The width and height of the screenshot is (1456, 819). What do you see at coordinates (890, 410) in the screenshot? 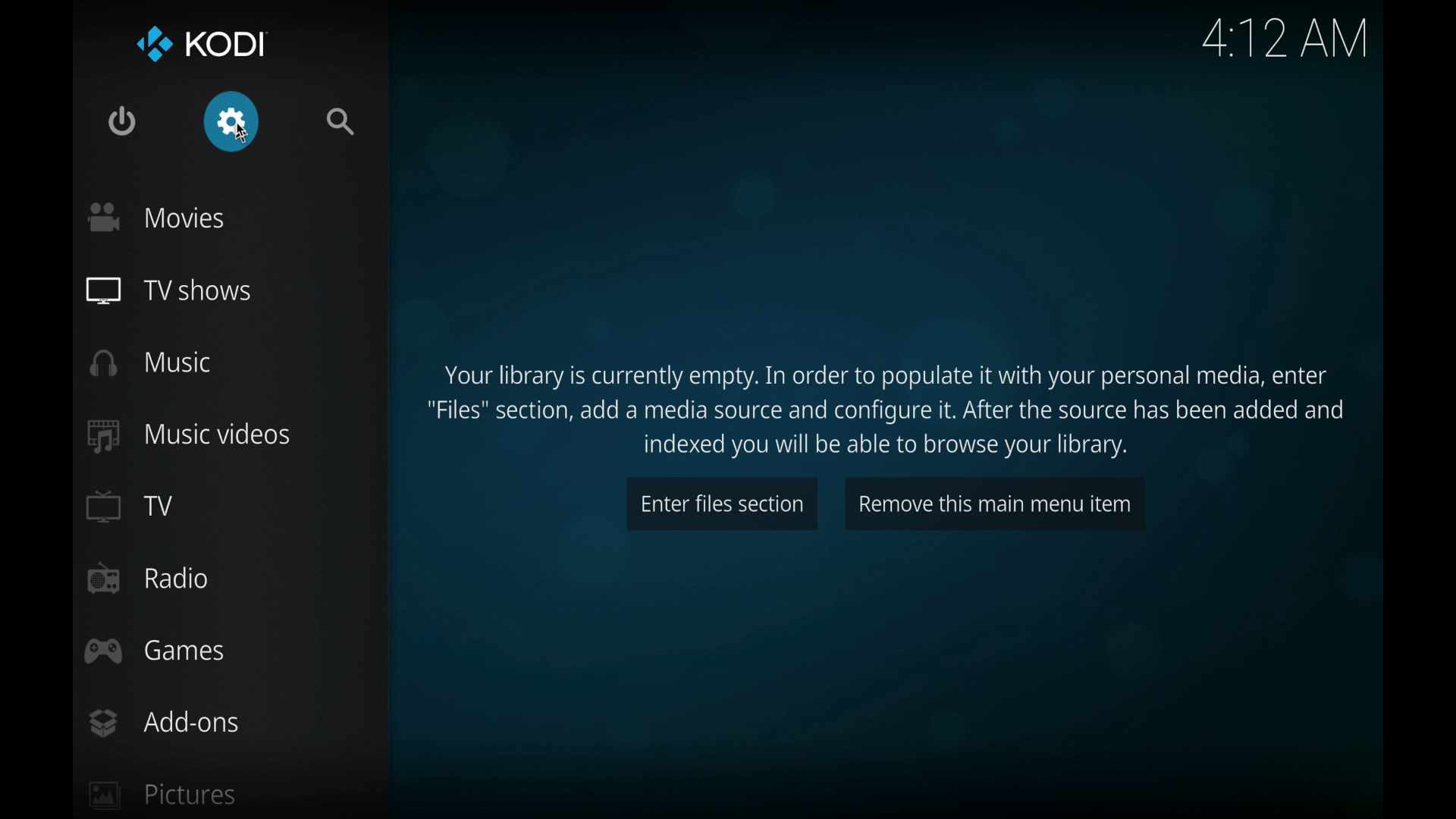
I see `Your library is currently empty. In order to populate it with your personal media, enter
"Files" section, add a media source and configure it. After the source has been added and
indexed you will be able to browse your library.` at bounding box center [890, 410].